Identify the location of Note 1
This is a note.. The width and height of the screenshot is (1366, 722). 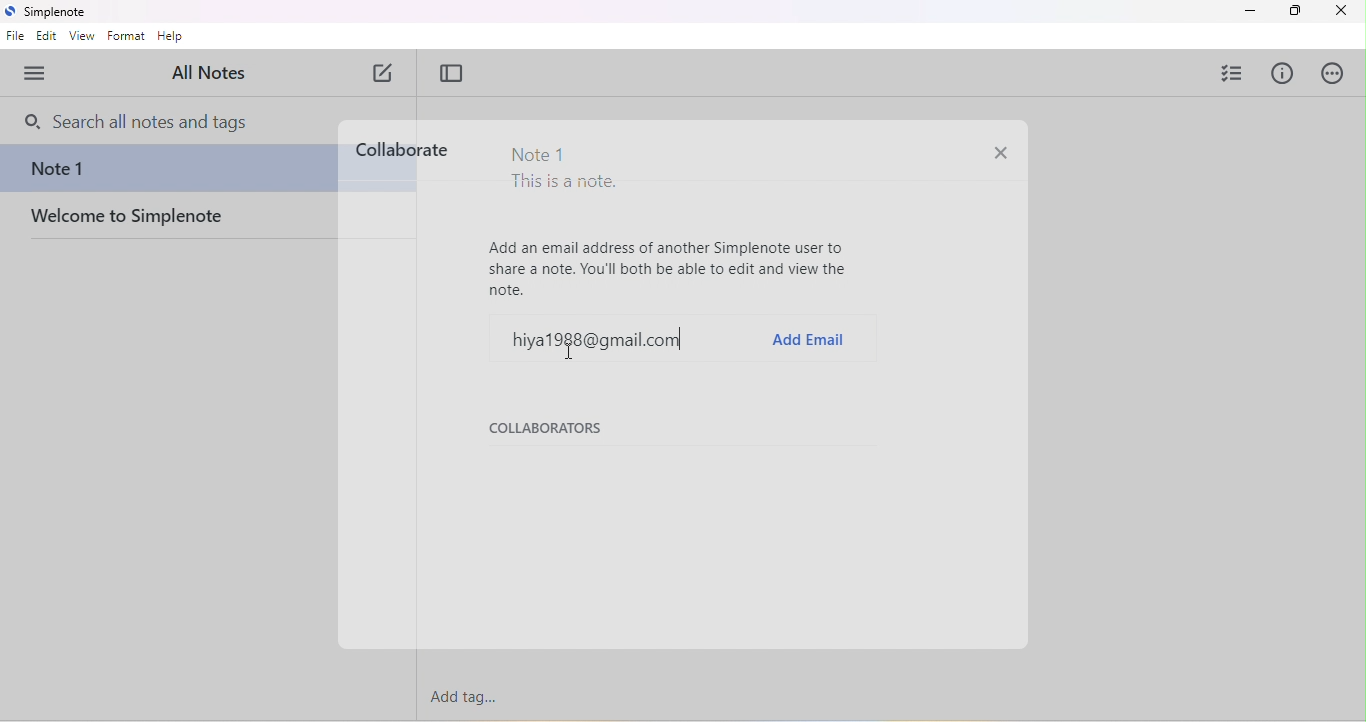
(565, 170).